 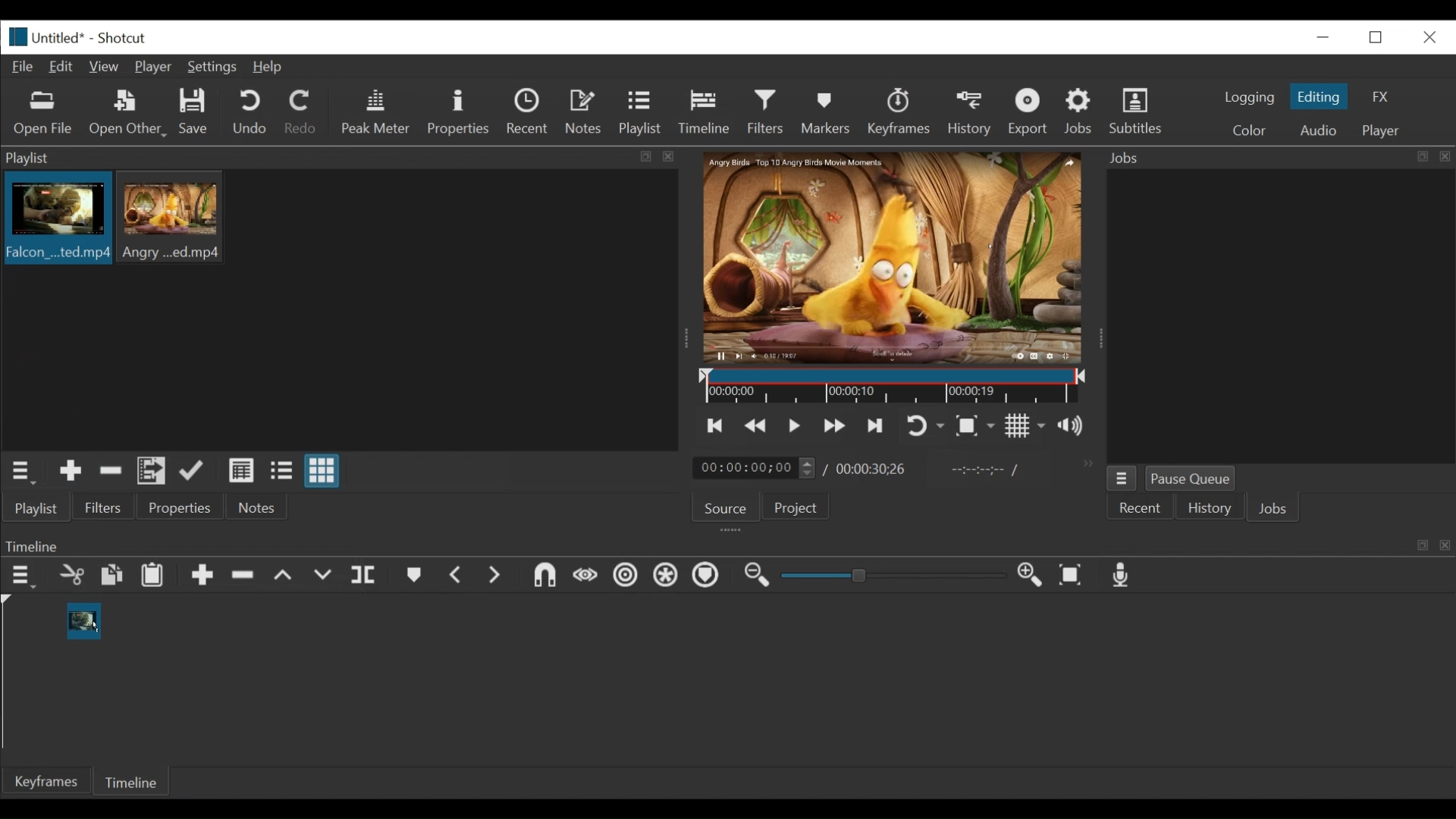 What do you see at coordinates (755, 577) in the screenshot?
I see `Zoom timeline in` at bounding box center [755, 577].